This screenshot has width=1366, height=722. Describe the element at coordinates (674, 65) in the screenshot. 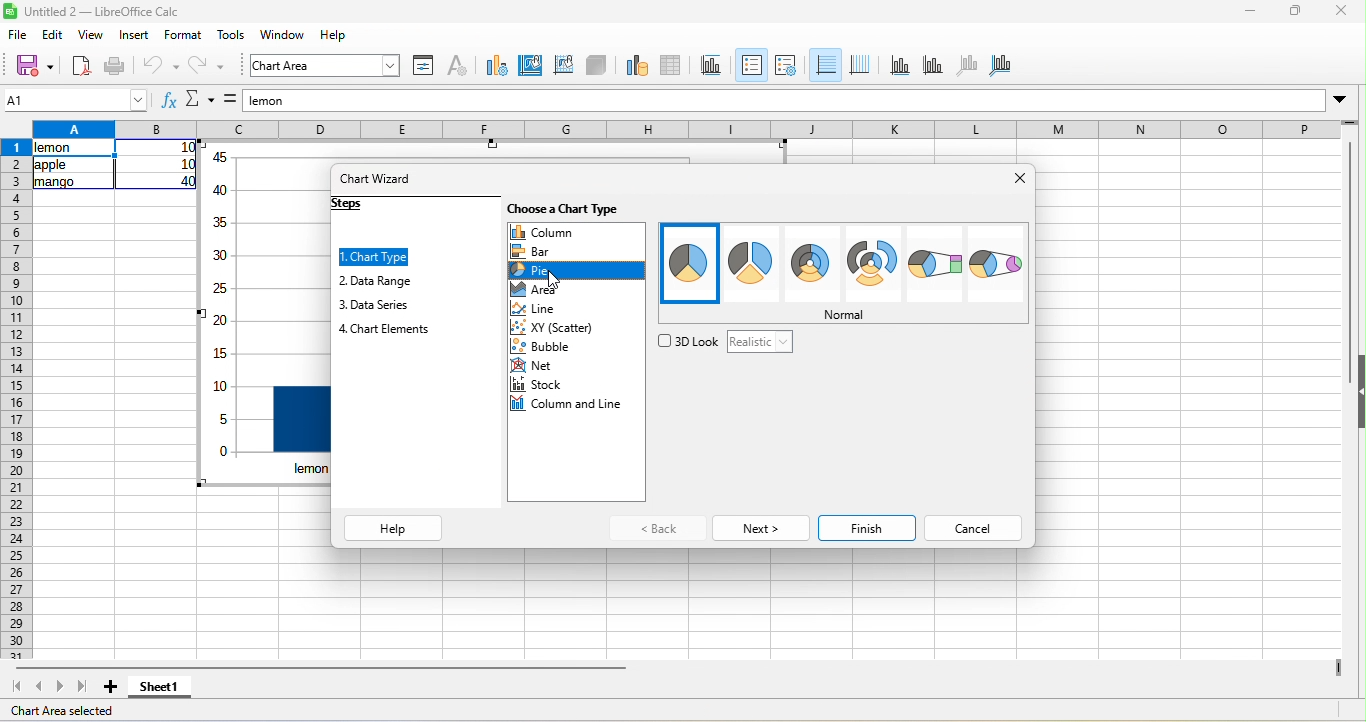

I see `data tables` at that location.